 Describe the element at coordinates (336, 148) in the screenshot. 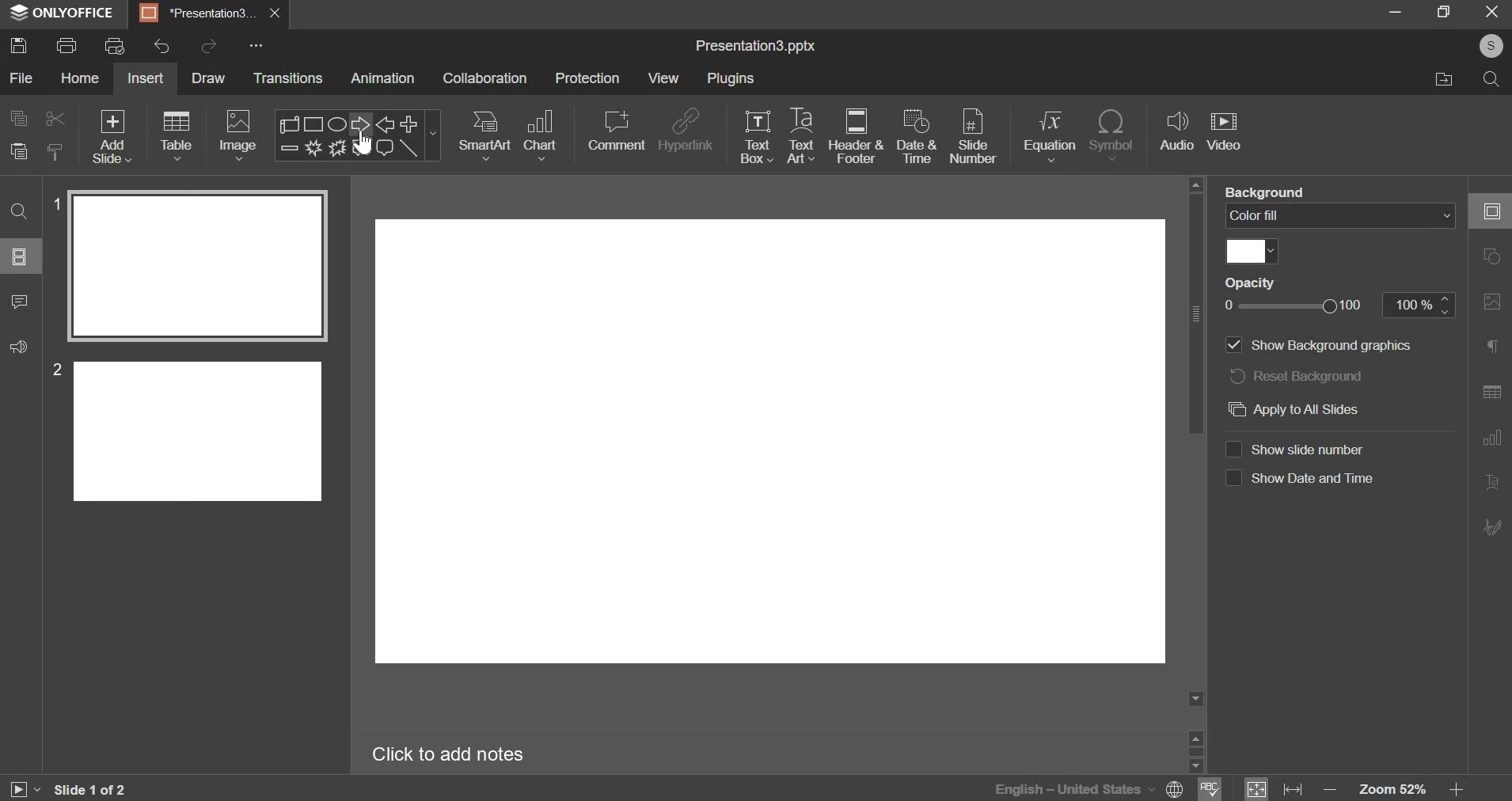

I see `explosion 2` at that location.